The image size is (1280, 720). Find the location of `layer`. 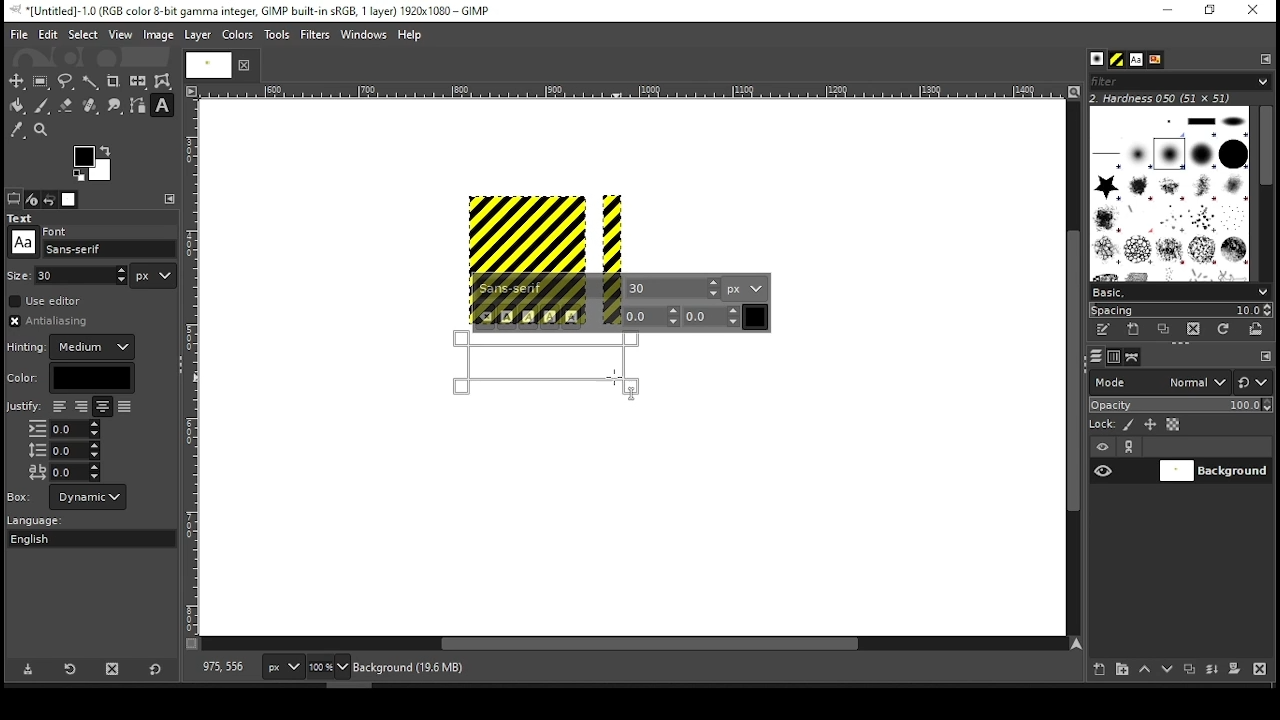

layer is located at coordinates (196, 35).